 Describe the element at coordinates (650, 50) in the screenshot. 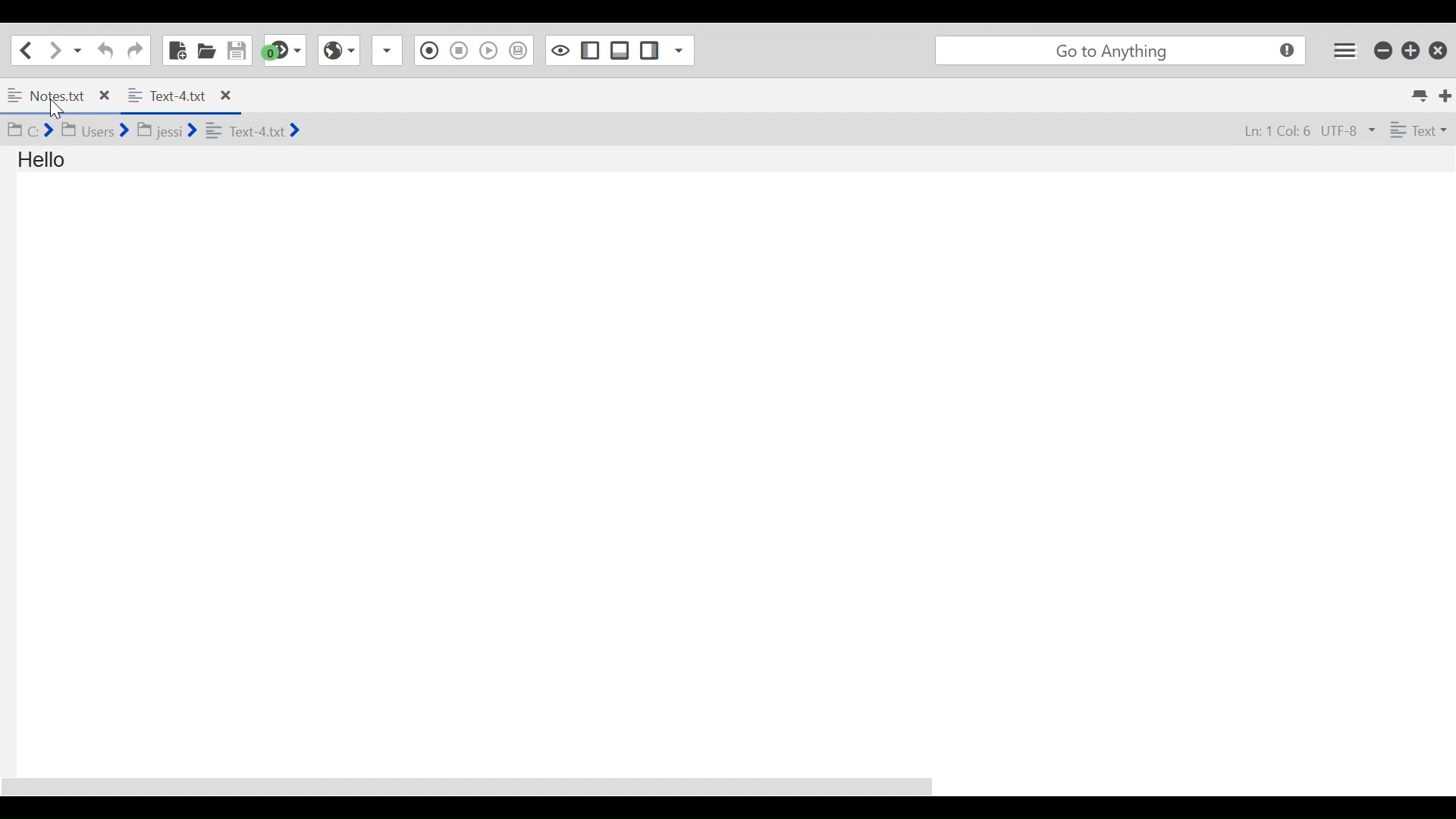

I see `Show/Hide Right Pane ` at that location.